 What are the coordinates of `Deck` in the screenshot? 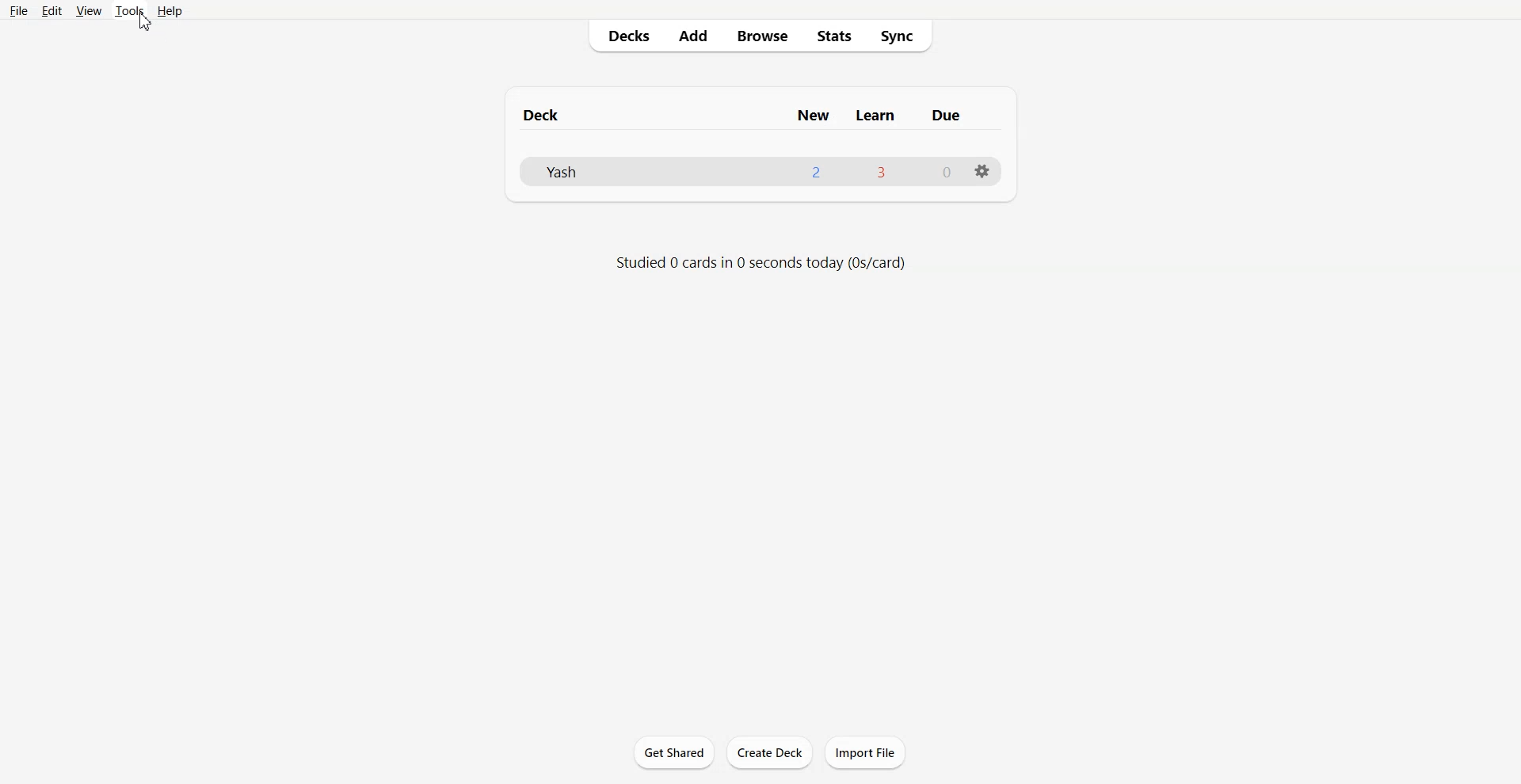 It's located at (544, 113).